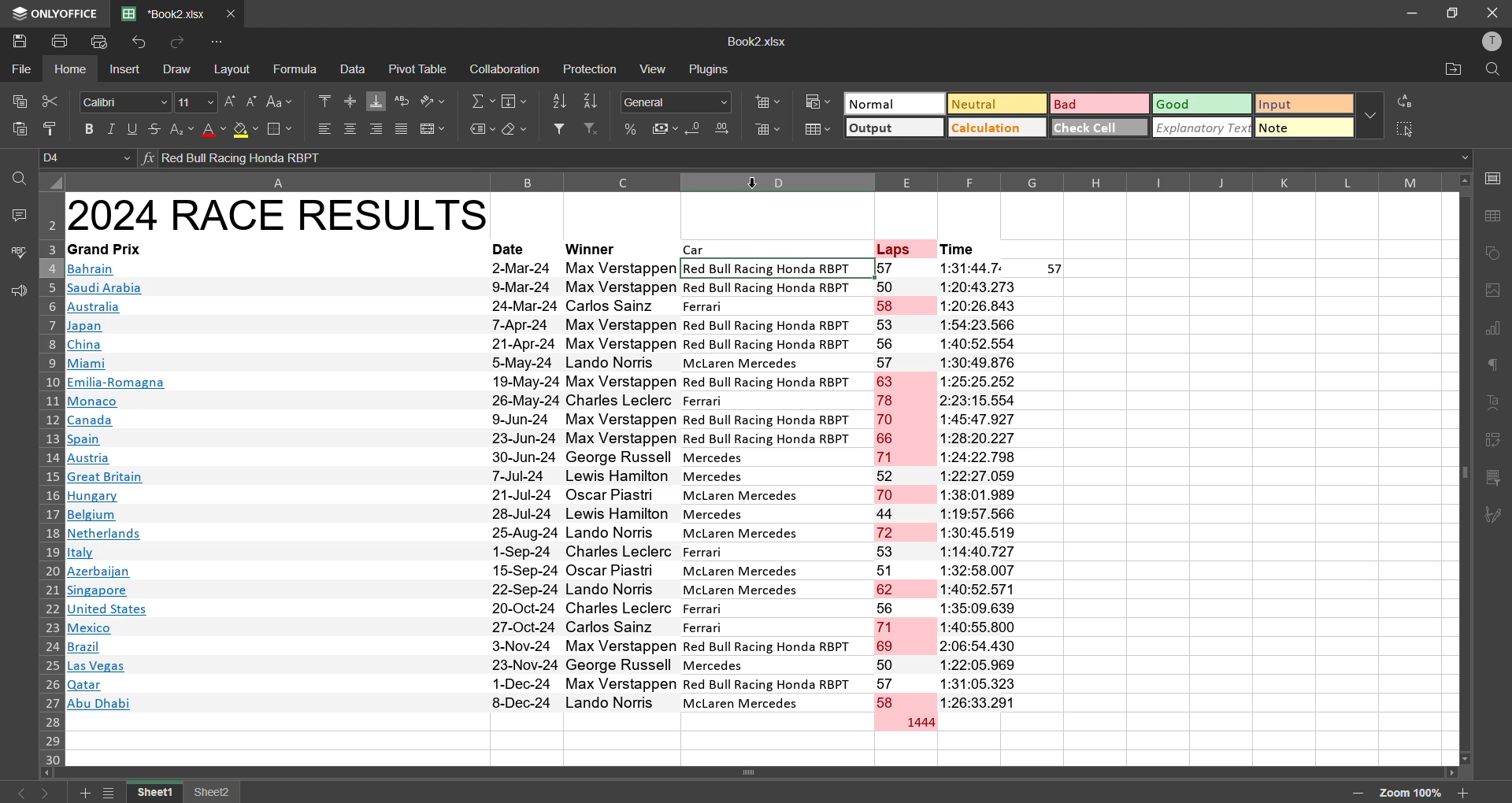  What do you see at coordinates (681, 102) in the screenshot?
I see `number format` at bounding box center [681, 102].